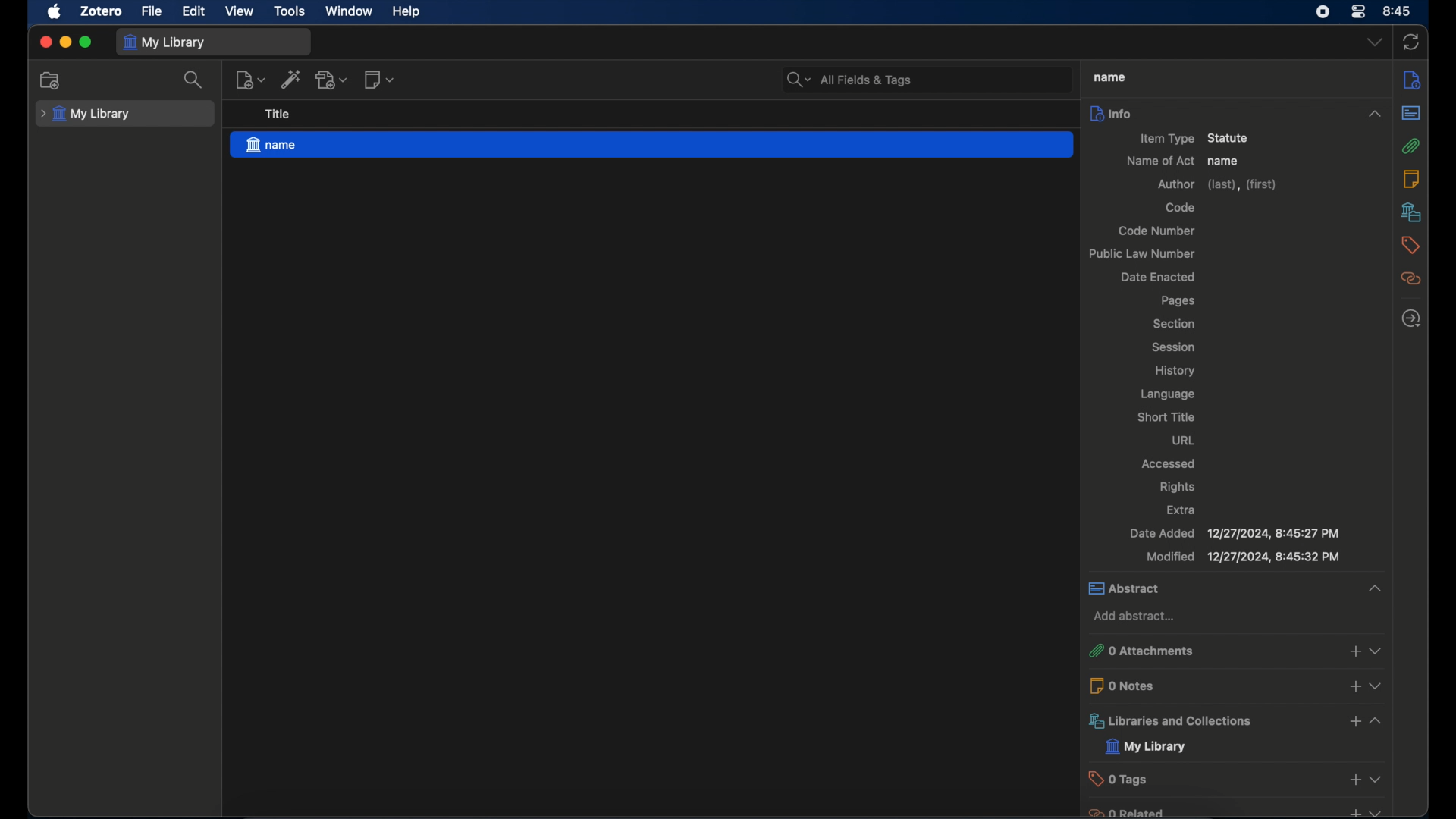 Image resolution: width=1456 pixels, height=819 pixels. Describe the element at coordinates (165, 42) in the screenshot. I see `my library` at that location.